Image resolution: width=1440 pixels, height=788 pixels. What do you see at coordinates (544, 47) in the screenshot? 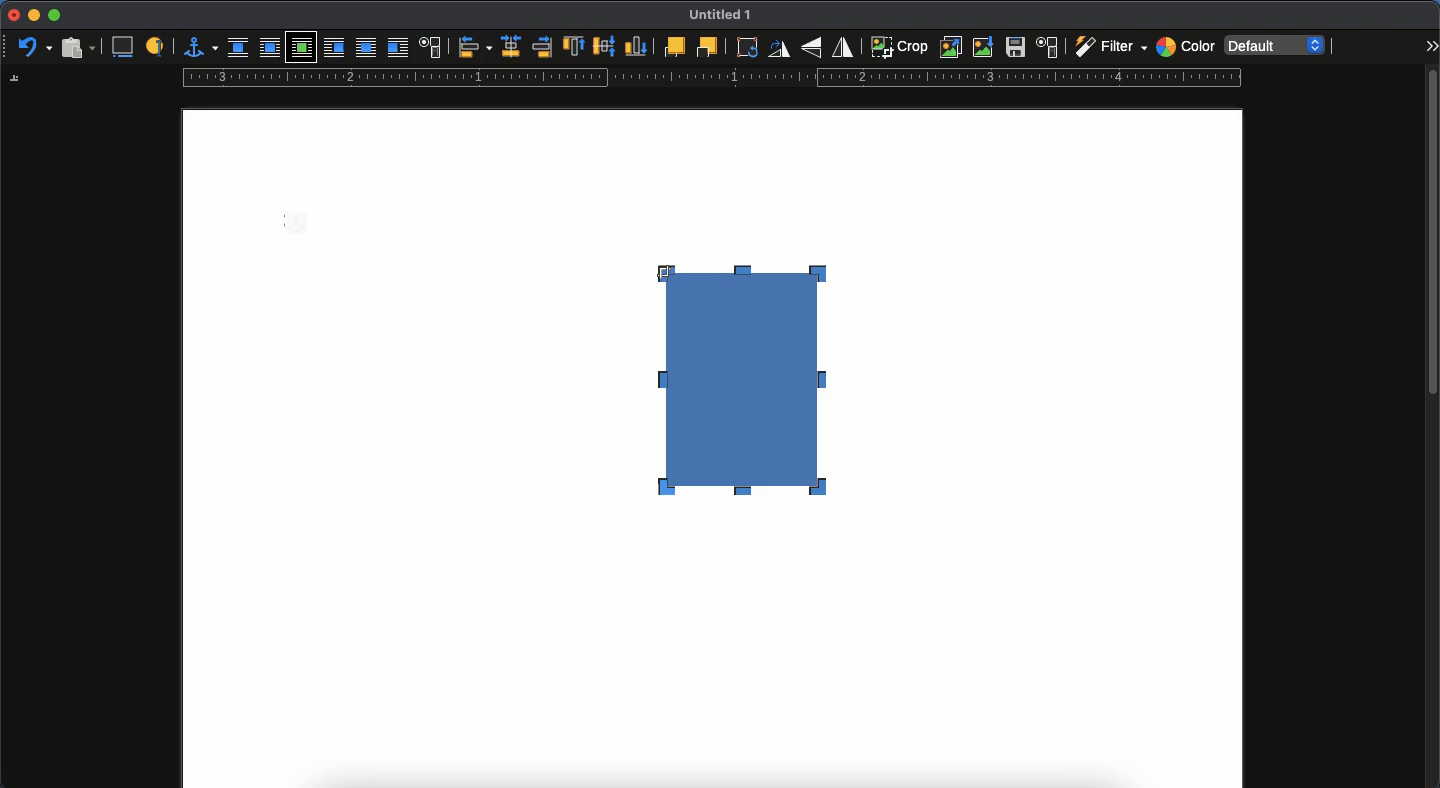
I see `right` at bounding box center [544, 47].